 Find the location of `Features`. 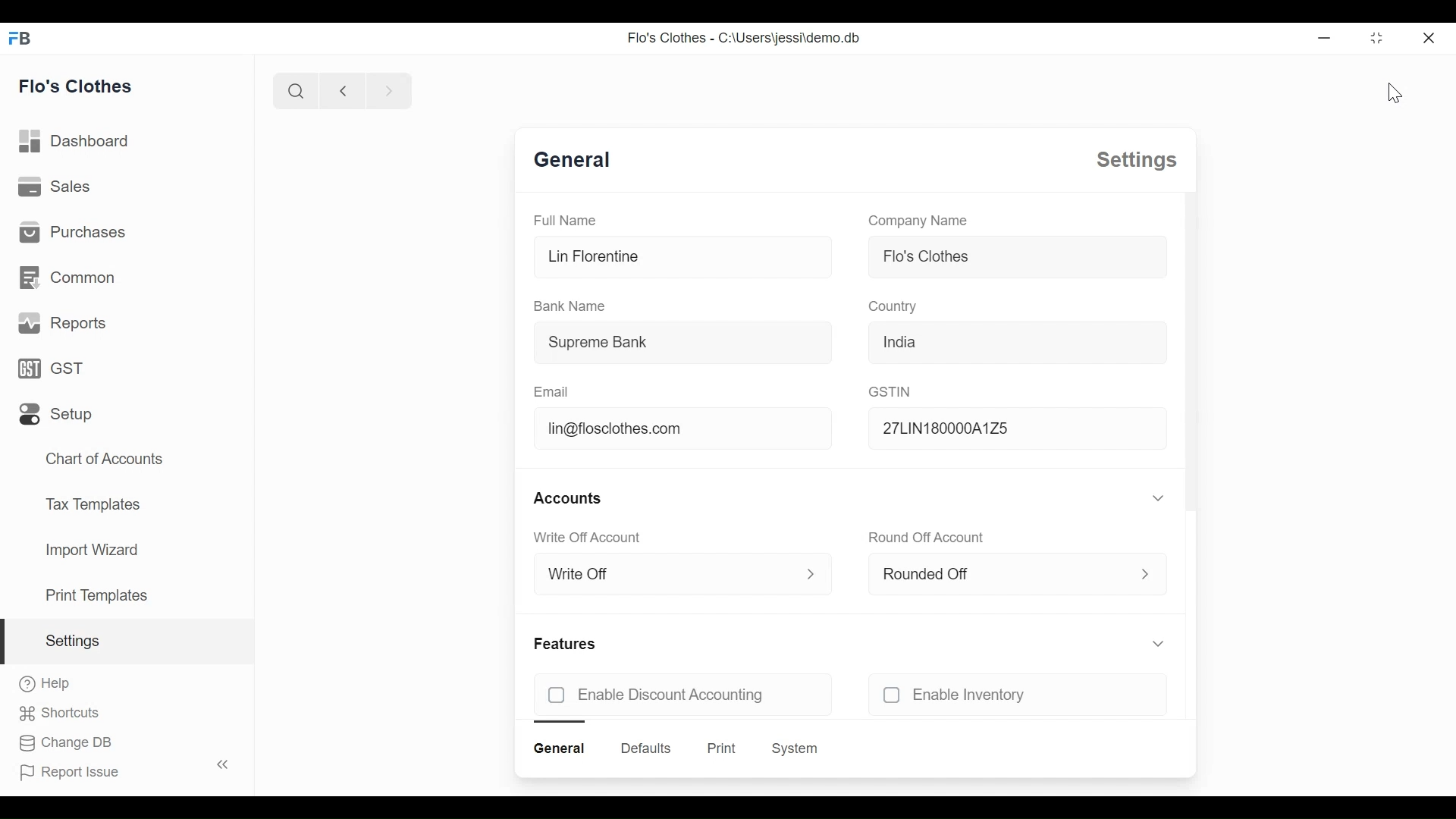

Features is located at coordinates (569, 641).